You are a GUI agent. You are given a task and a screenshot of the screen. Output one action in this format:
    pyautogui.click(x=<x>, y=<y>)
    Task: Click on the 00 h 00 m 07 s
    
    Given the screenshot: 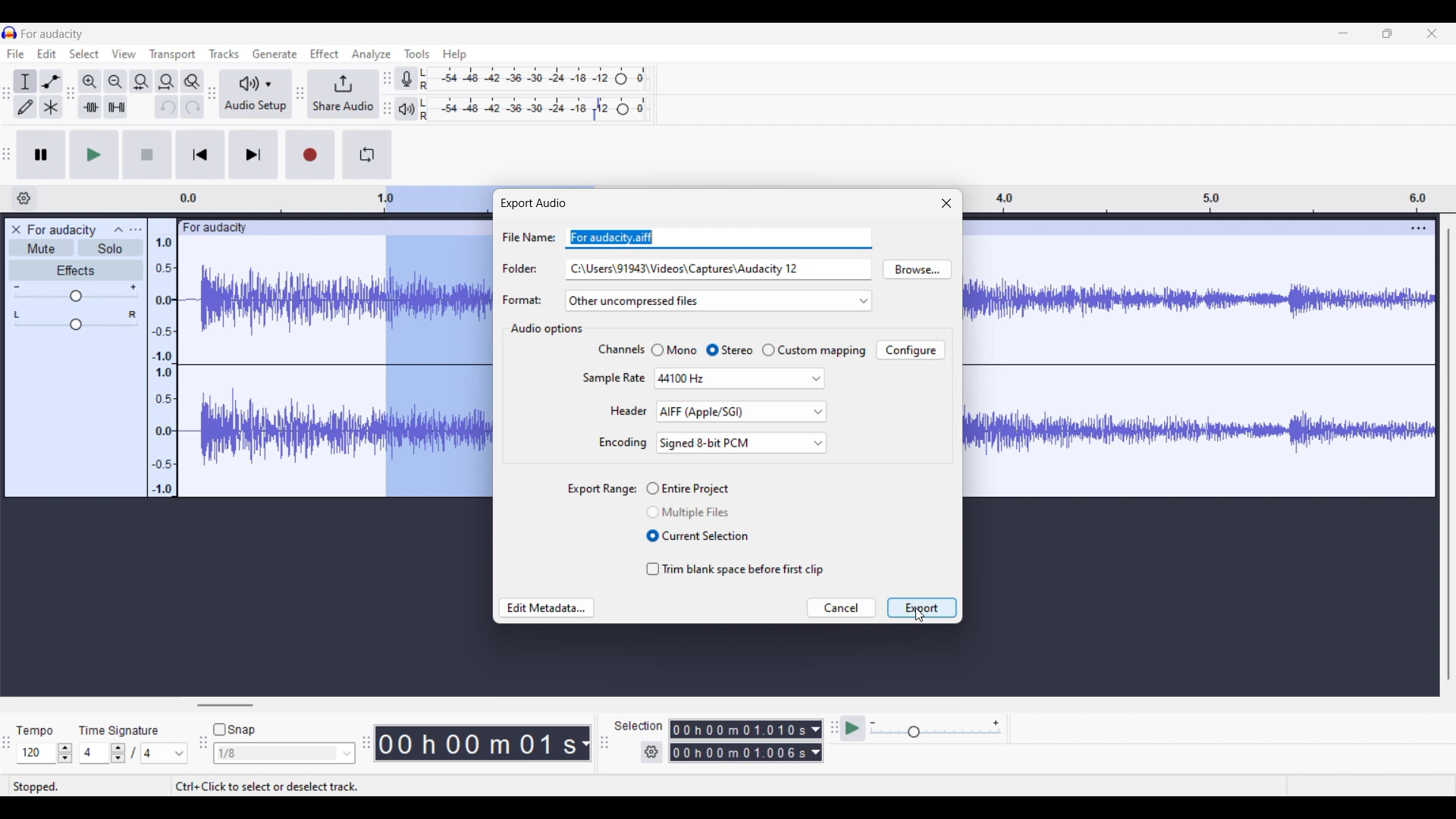 What is the action you would take?
    pyautogui.click(x=477, y=743)
    